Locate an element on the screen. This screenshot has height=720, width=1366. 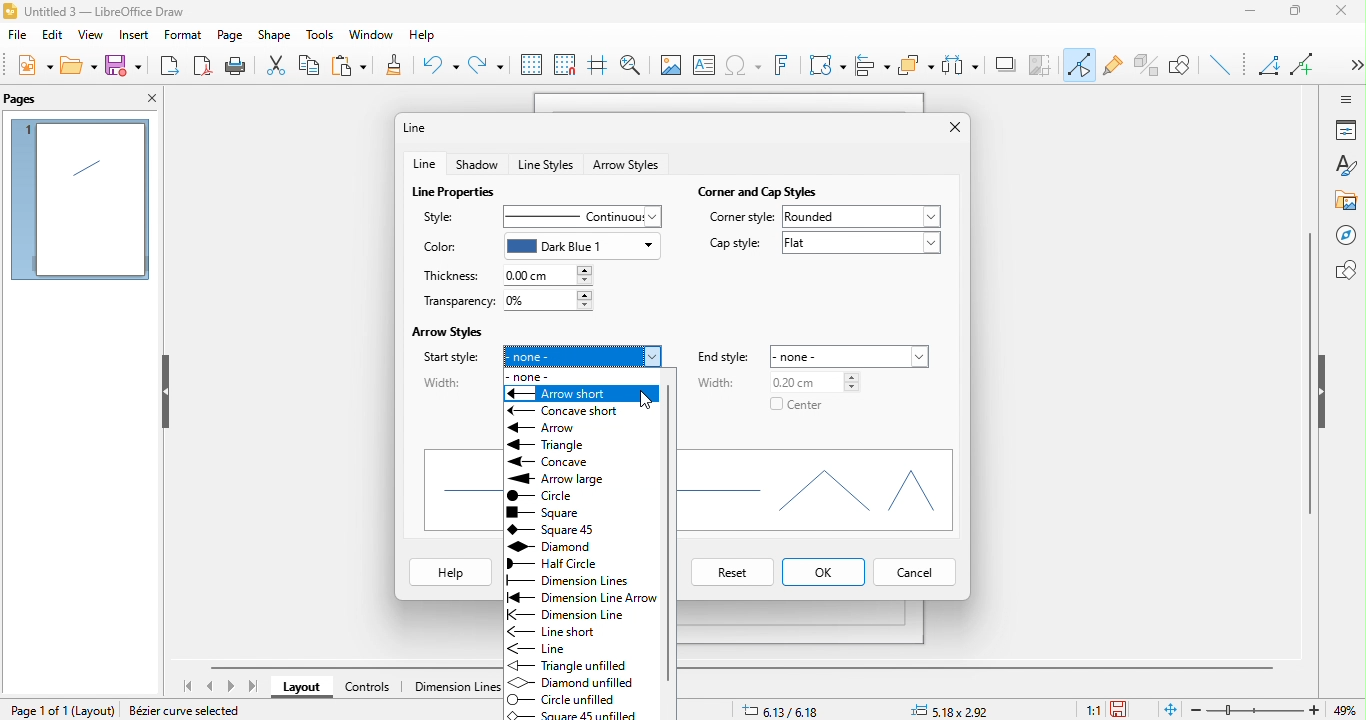
0.20 cm is located at coordinates (806, 381).